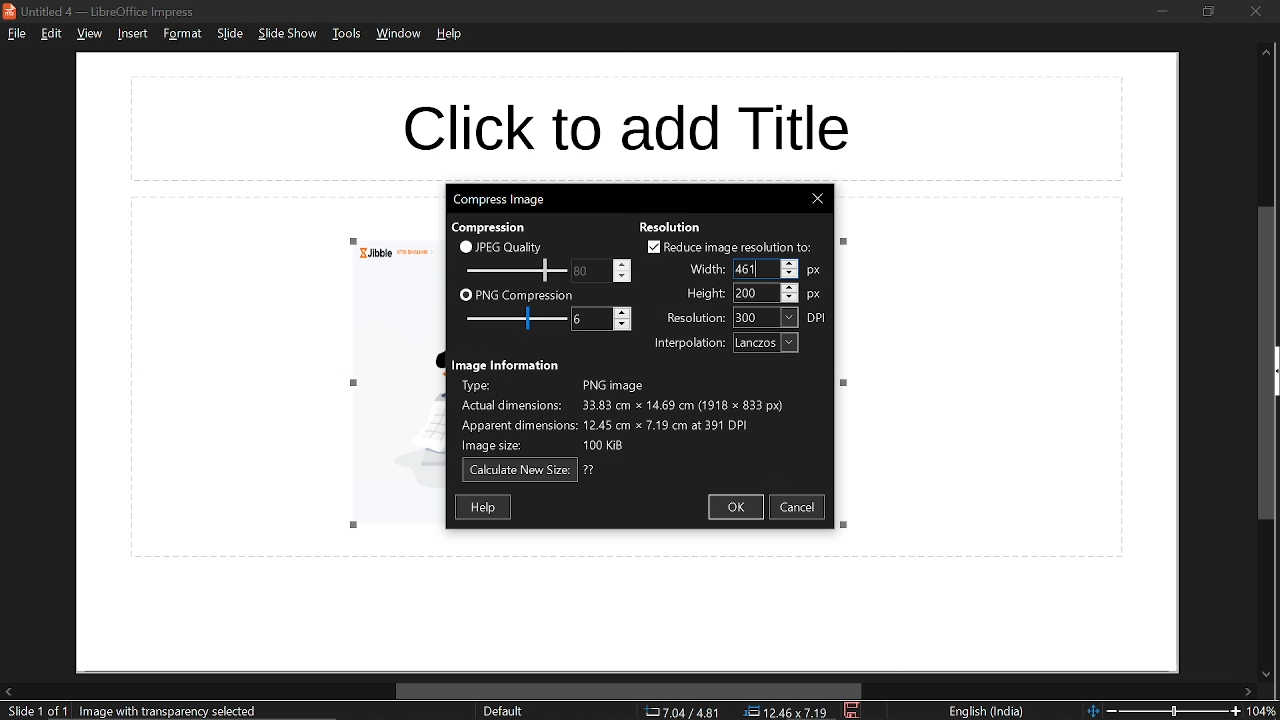  I want to click on edit, so click(50, 34).